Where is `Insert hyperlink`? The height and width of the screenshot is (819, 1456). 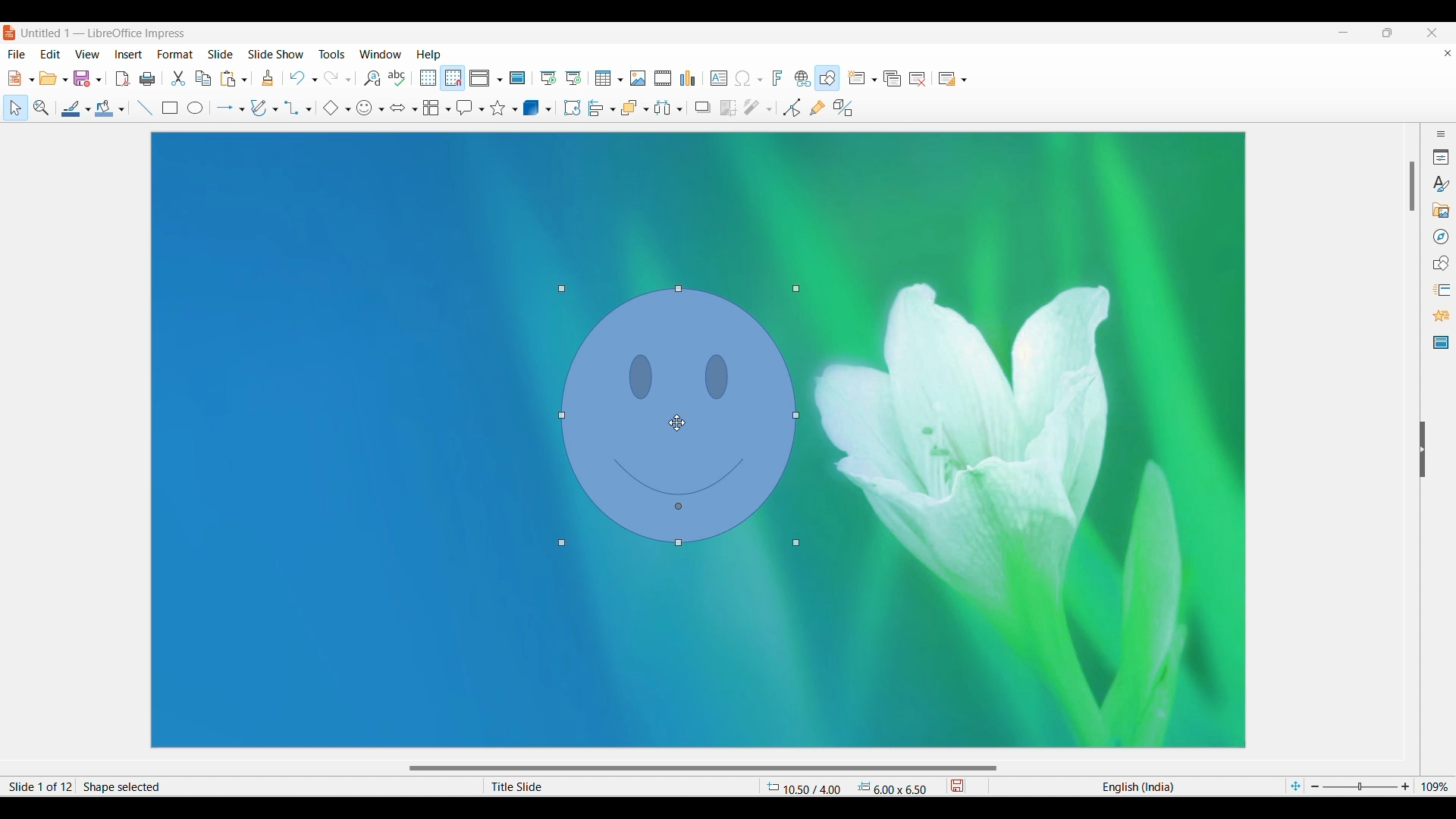
Insert hyperlink is located at coordinates (803, 78).